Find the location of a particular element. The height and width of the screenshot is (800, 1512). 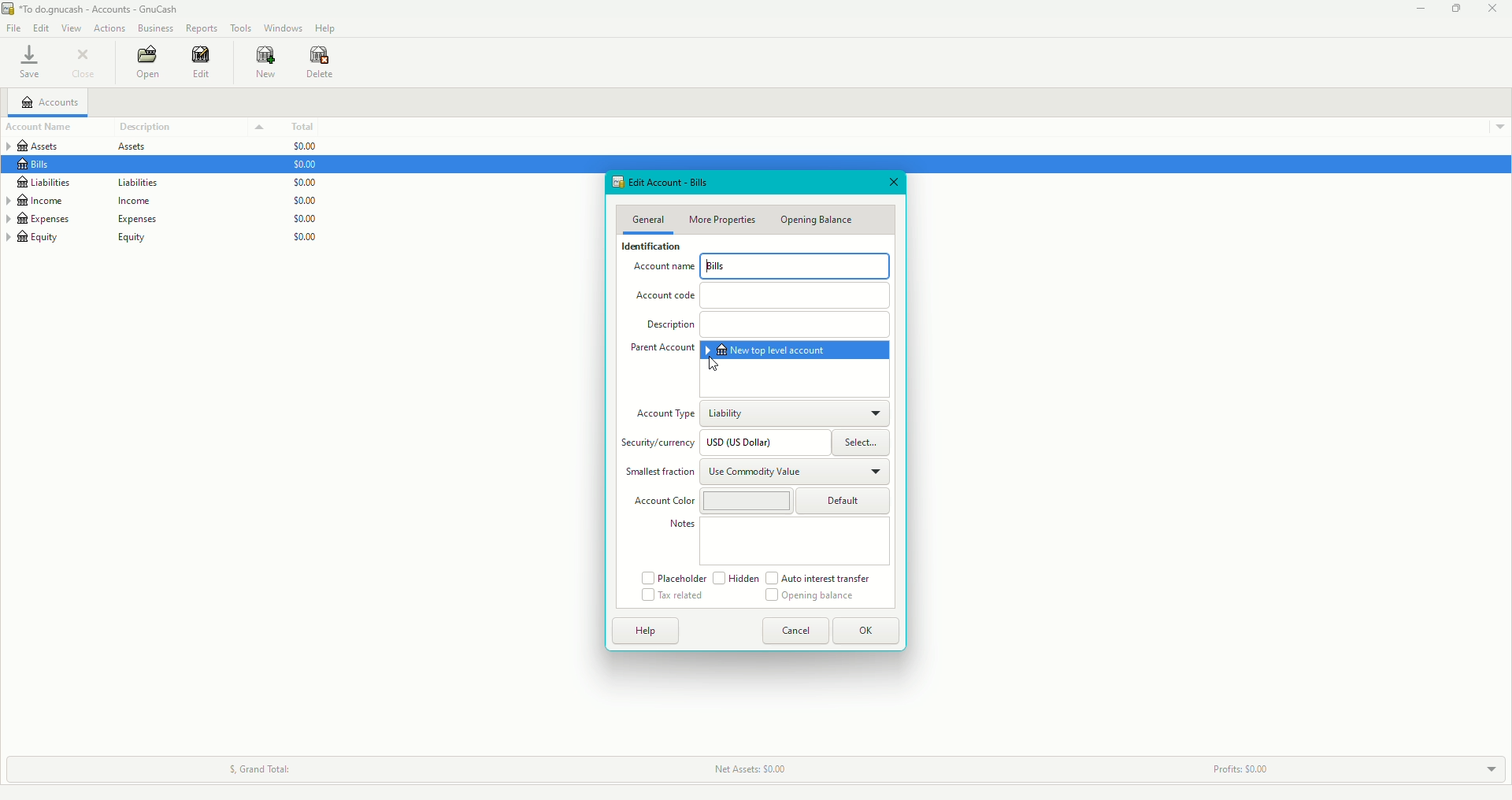

Edit is located at coordinates (44, 29).